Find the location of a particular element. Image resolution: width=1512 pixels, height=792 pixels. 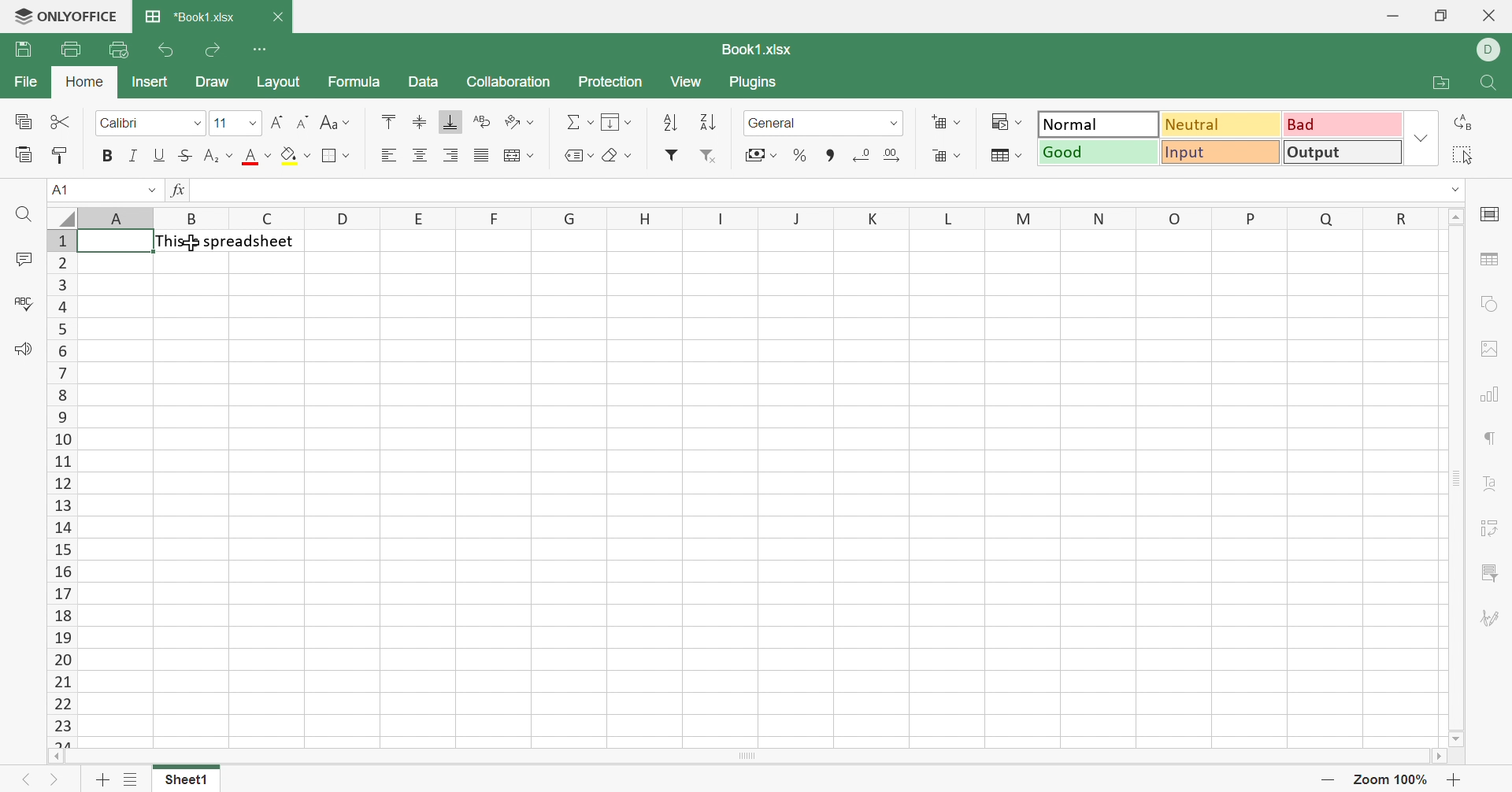

Add sheets is located at coordinates (104, 779).